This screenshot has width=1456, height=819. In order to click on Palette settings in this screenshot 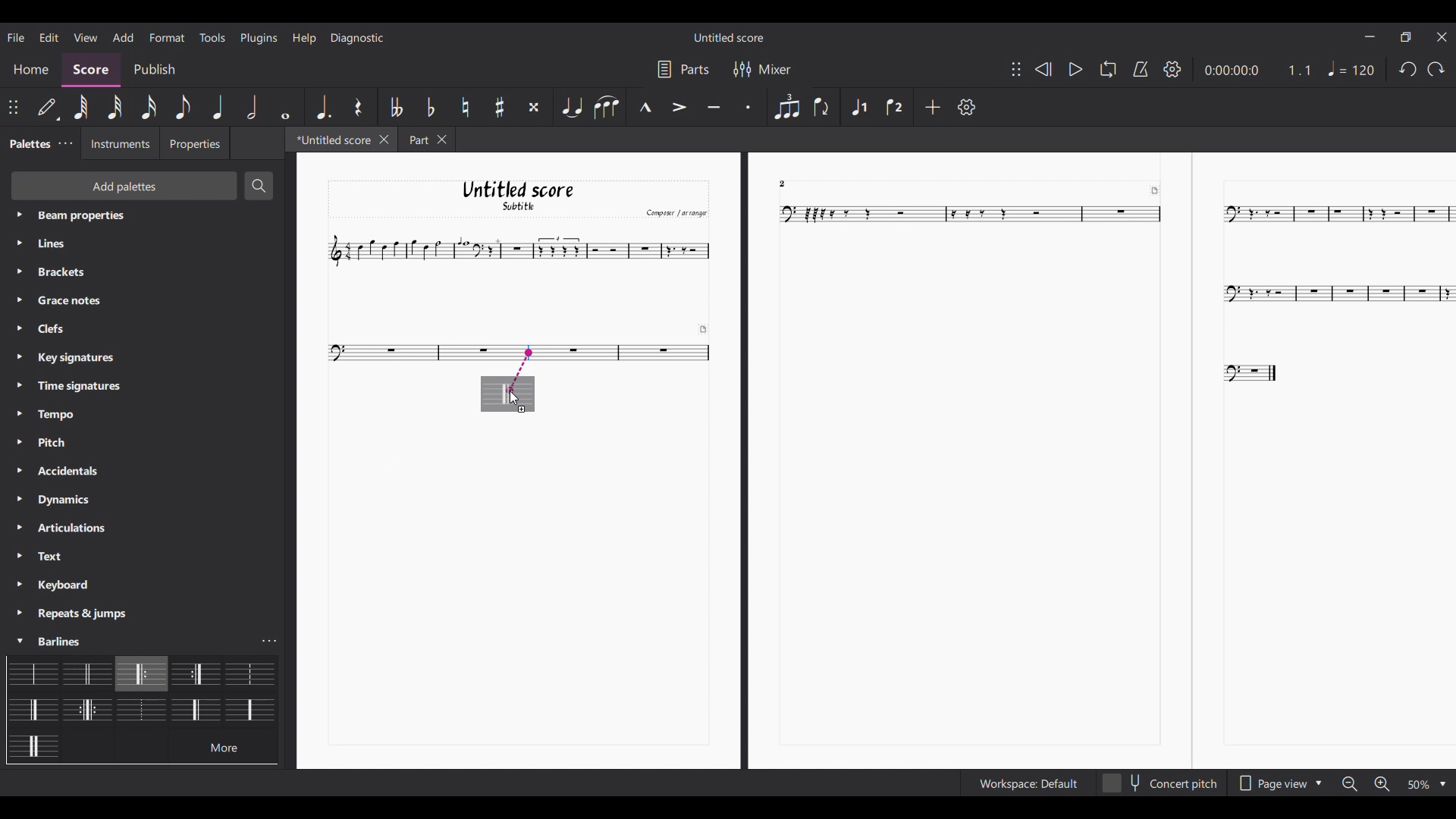, I will do `click(55, 470)`.